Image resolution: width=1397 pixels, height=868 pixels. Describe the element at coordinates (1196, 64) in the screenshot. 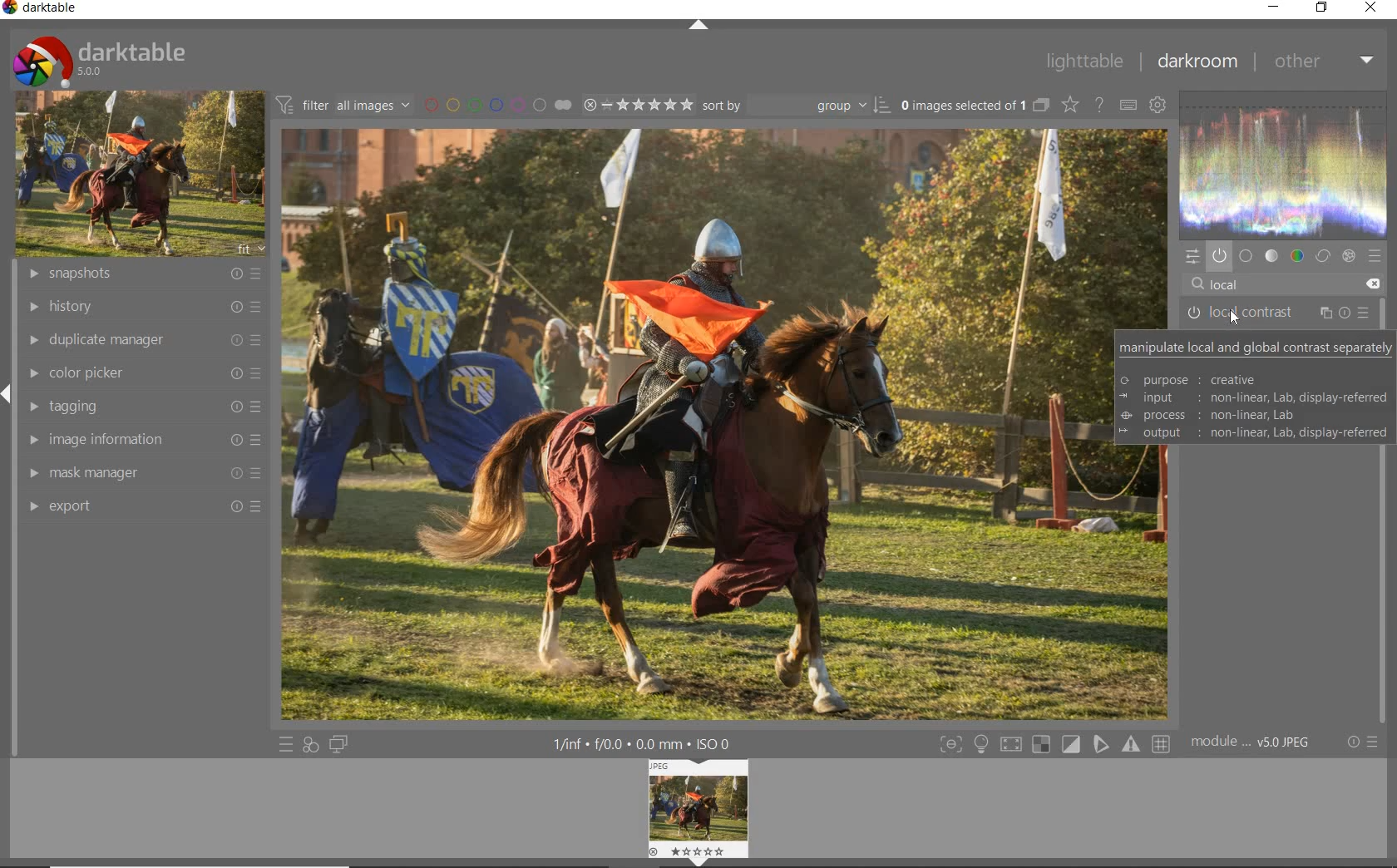

I see `darkroom` at that location.